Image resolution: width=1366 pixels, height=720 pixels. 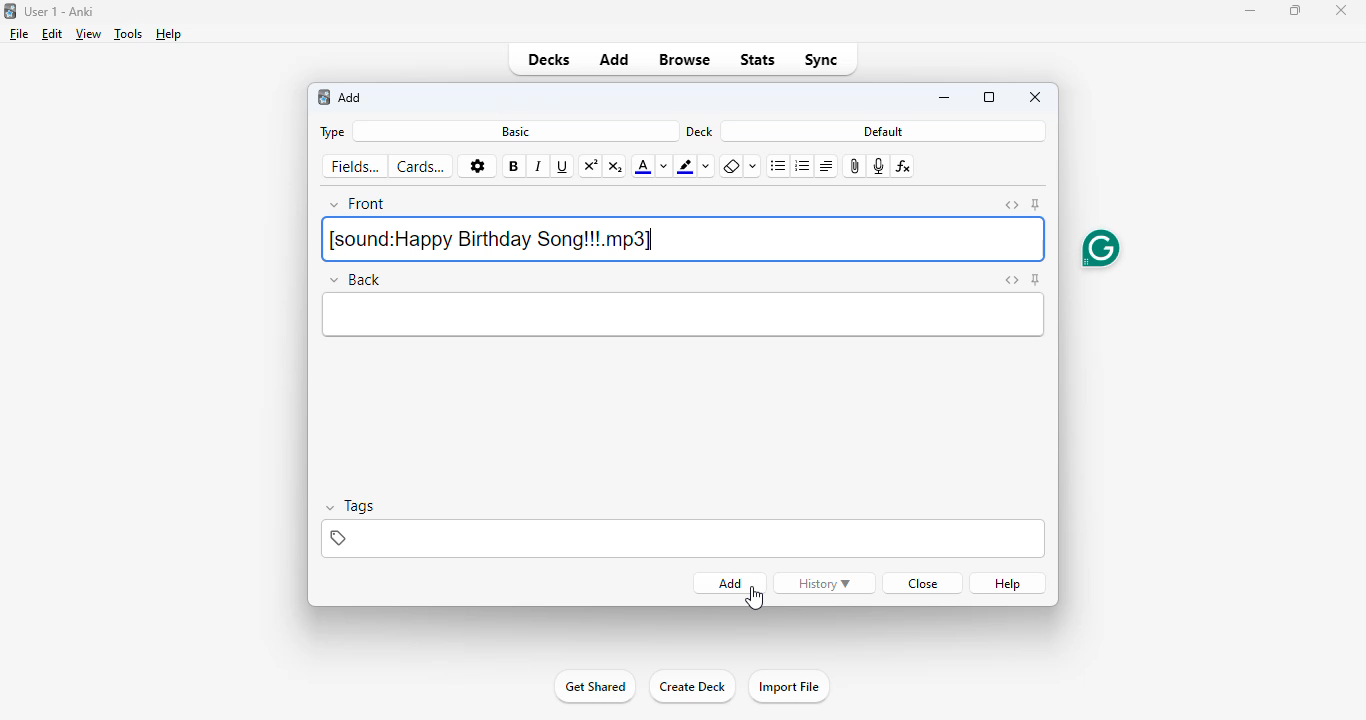 I want to click on insert back , so click(x=684, y=316).